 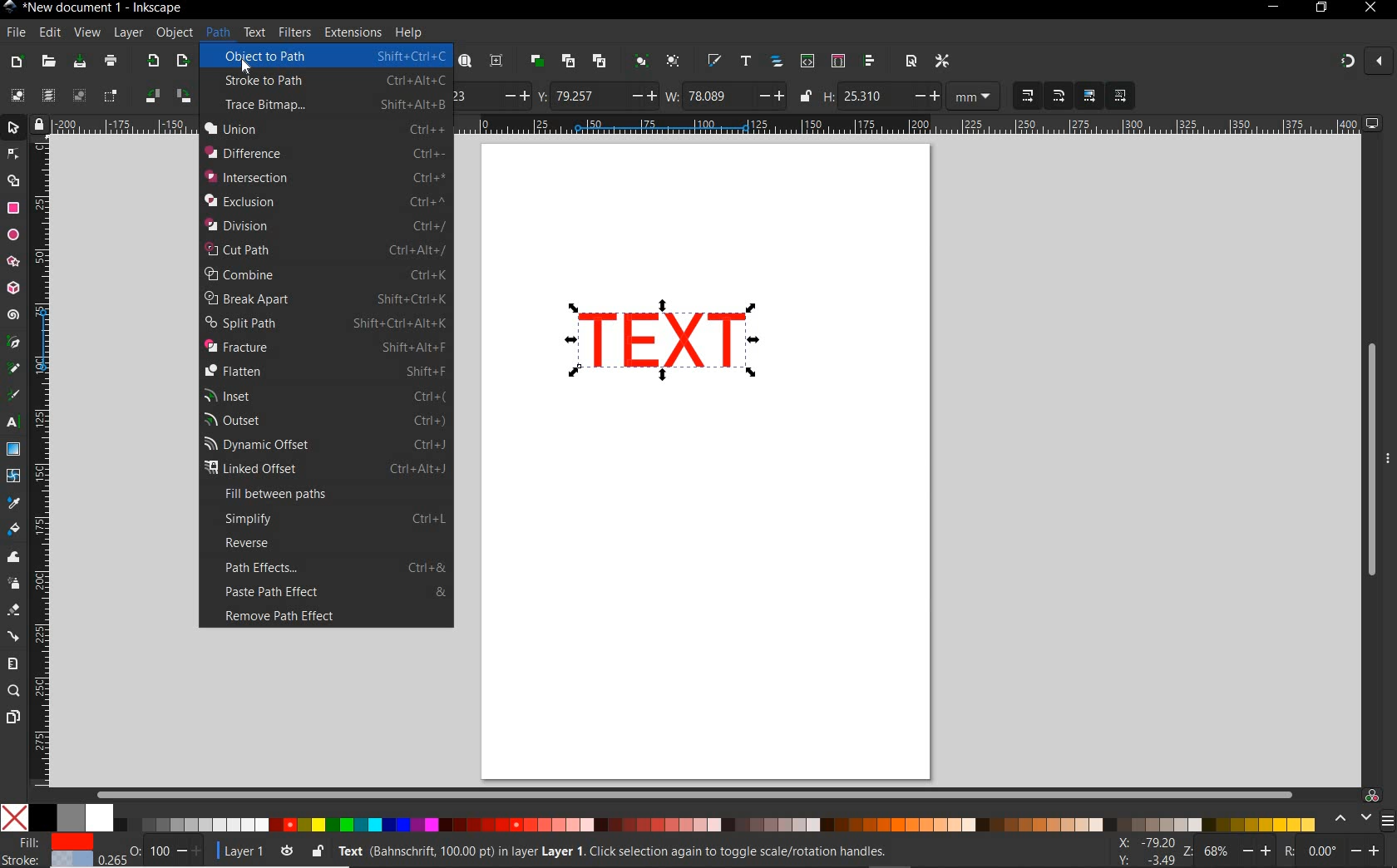 I want to click on SIMPLIFY, so click(x=333, y=519).